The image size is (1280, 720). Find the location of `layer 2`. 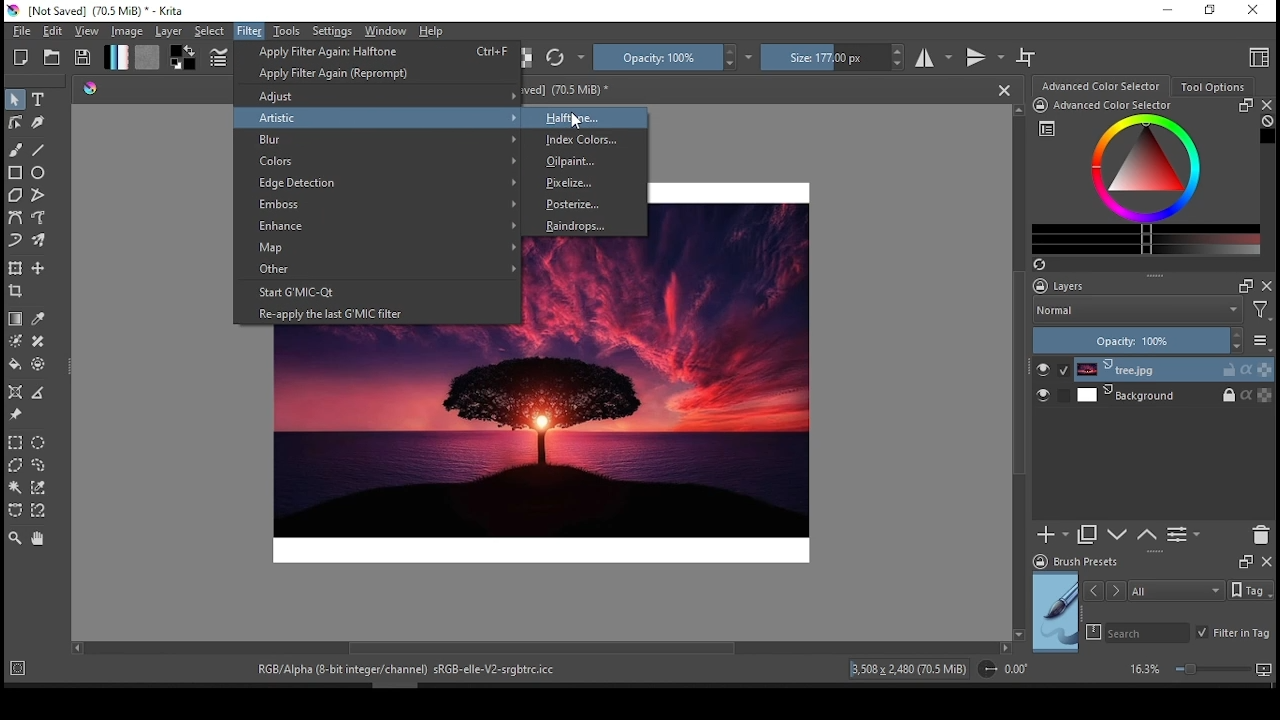

layer 2 is located at coordinates (1172, 396).